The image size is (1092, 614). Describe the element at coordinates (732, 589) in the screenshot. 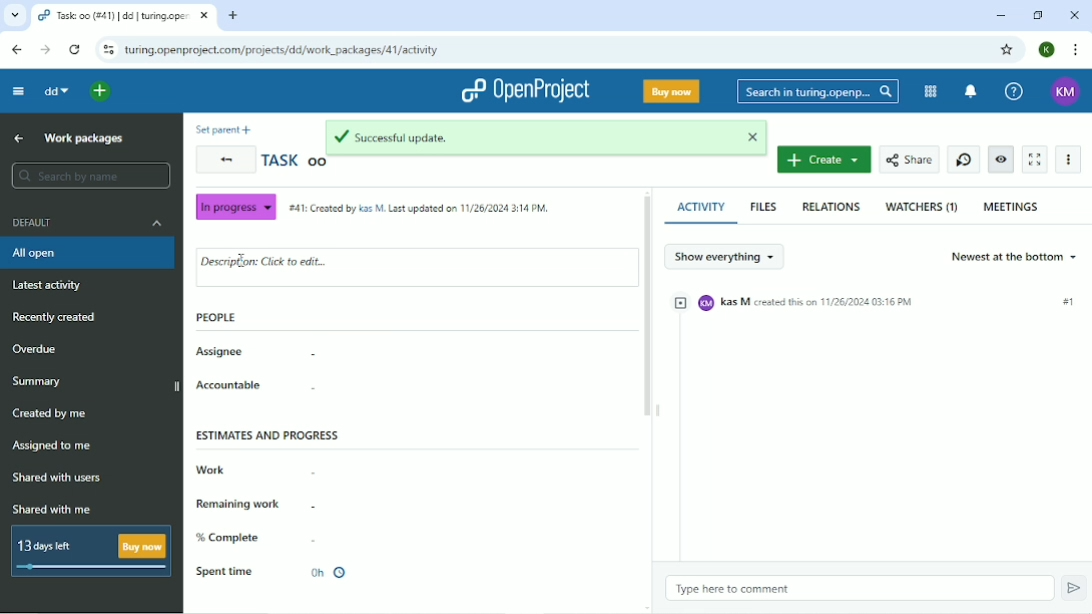

I see `Type here to comment` at that location.